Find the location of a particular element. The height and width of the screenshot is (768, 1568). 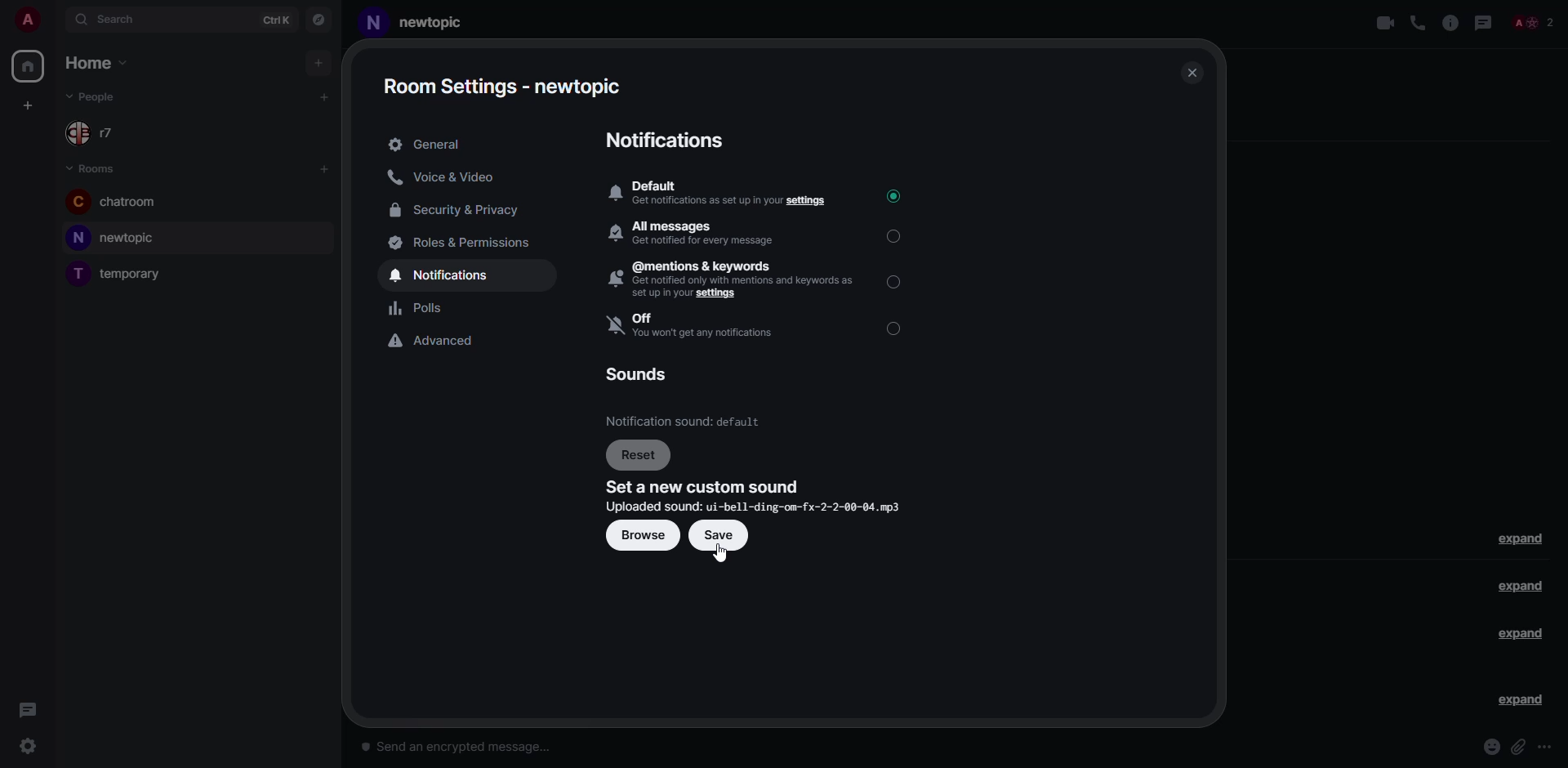

notifications is located at coordinates (443, 275).